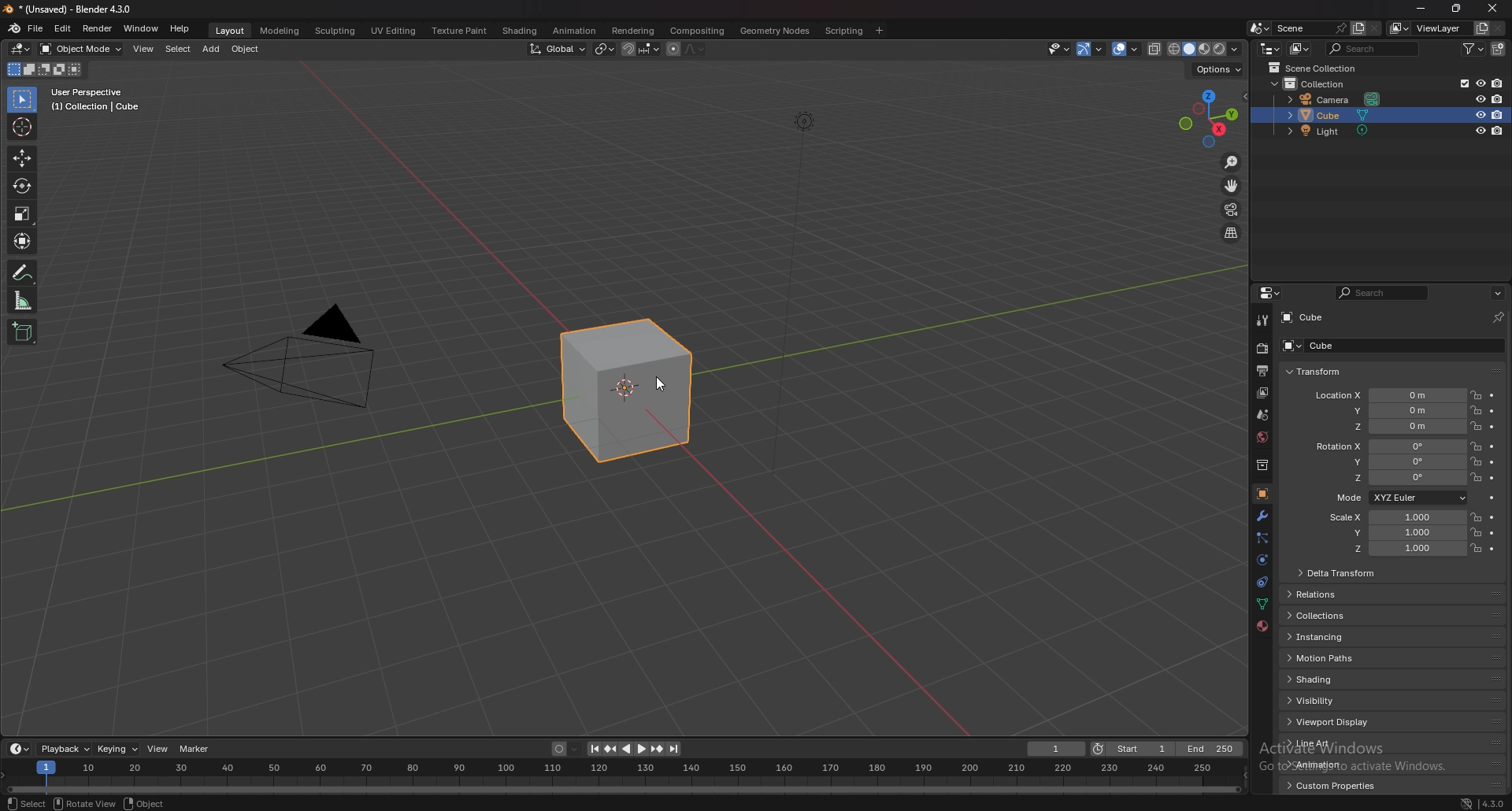 The width and height of the screenshot is (1512, 811). Describe the element at coordinates (1337, 636) in the screenshot. I see `instancing` at that location.